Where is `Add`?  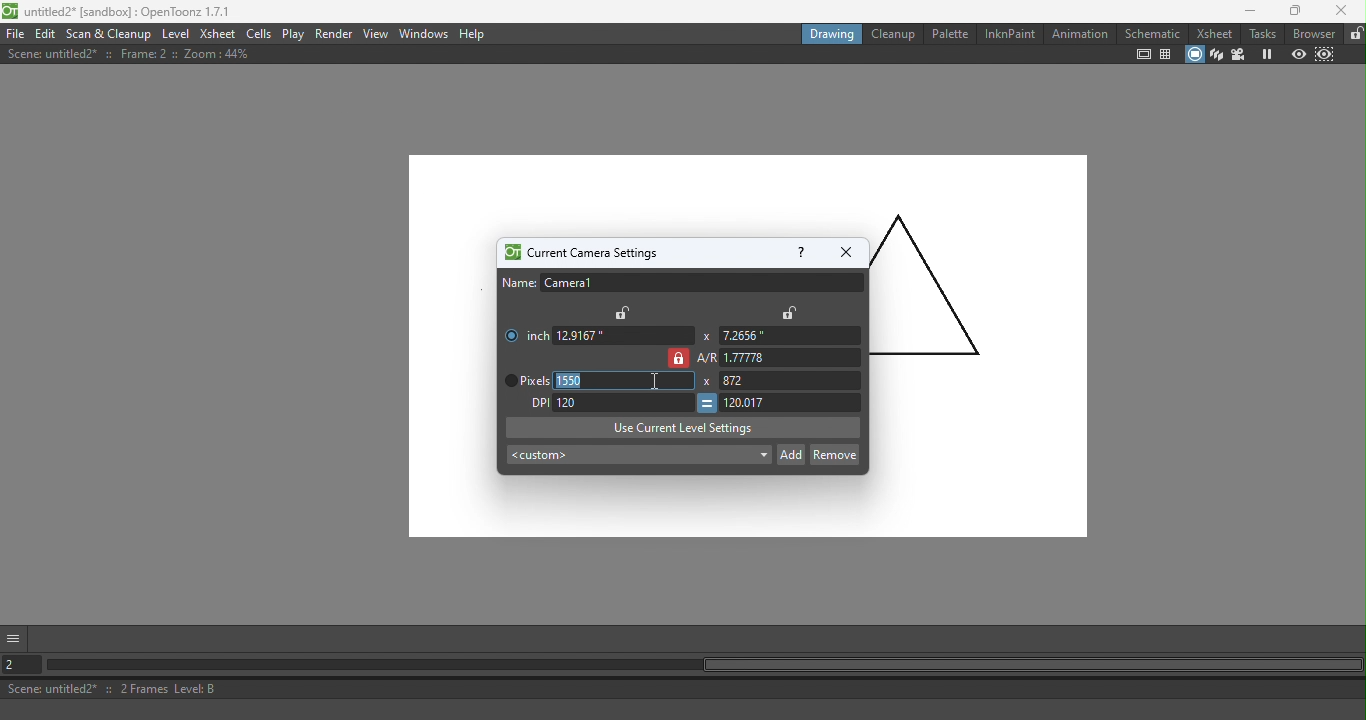 Add is located at coordinates (791, 453).